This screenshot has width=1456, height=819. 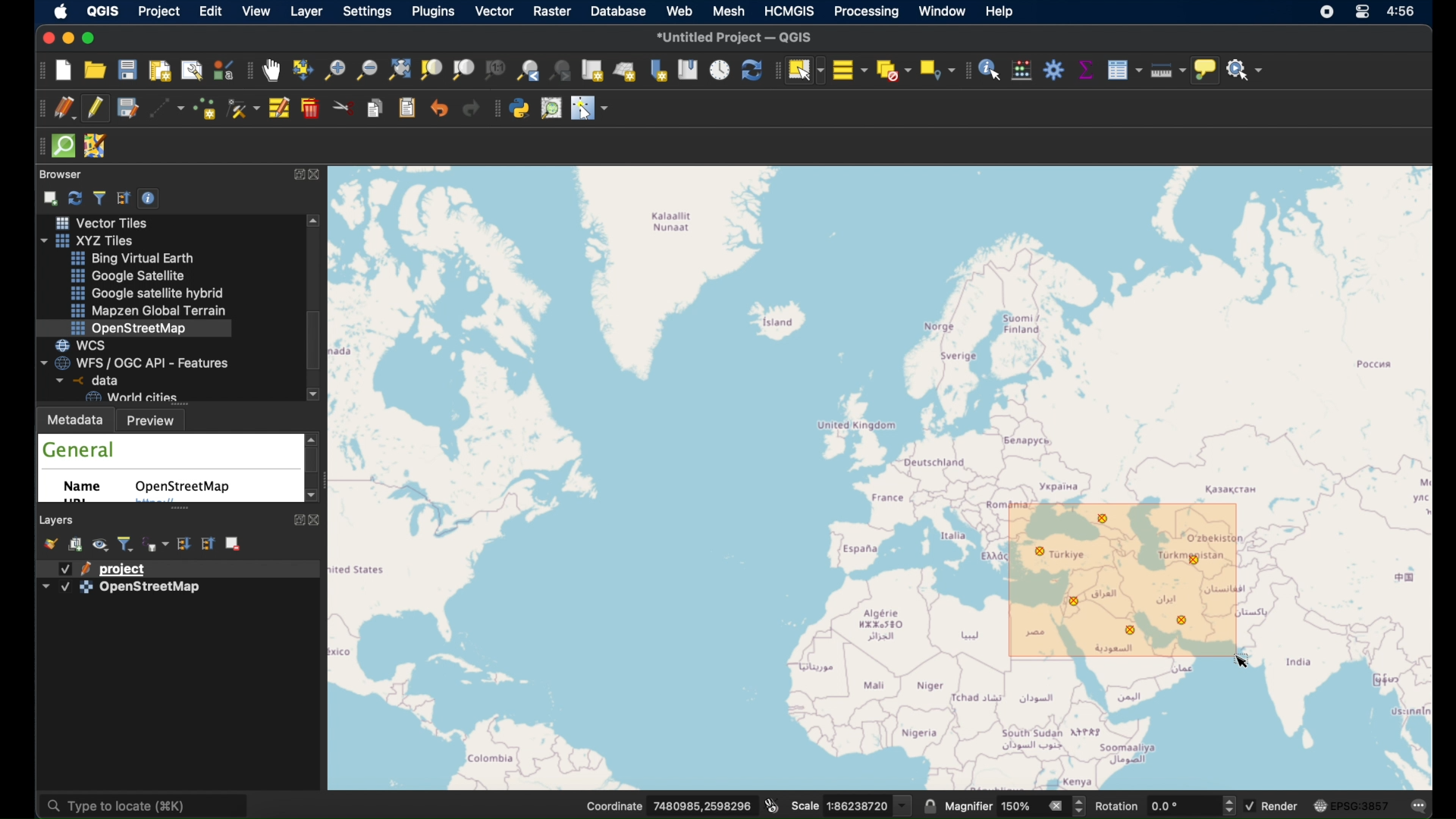 I want to click on metadata, so click(x=76, y=419).